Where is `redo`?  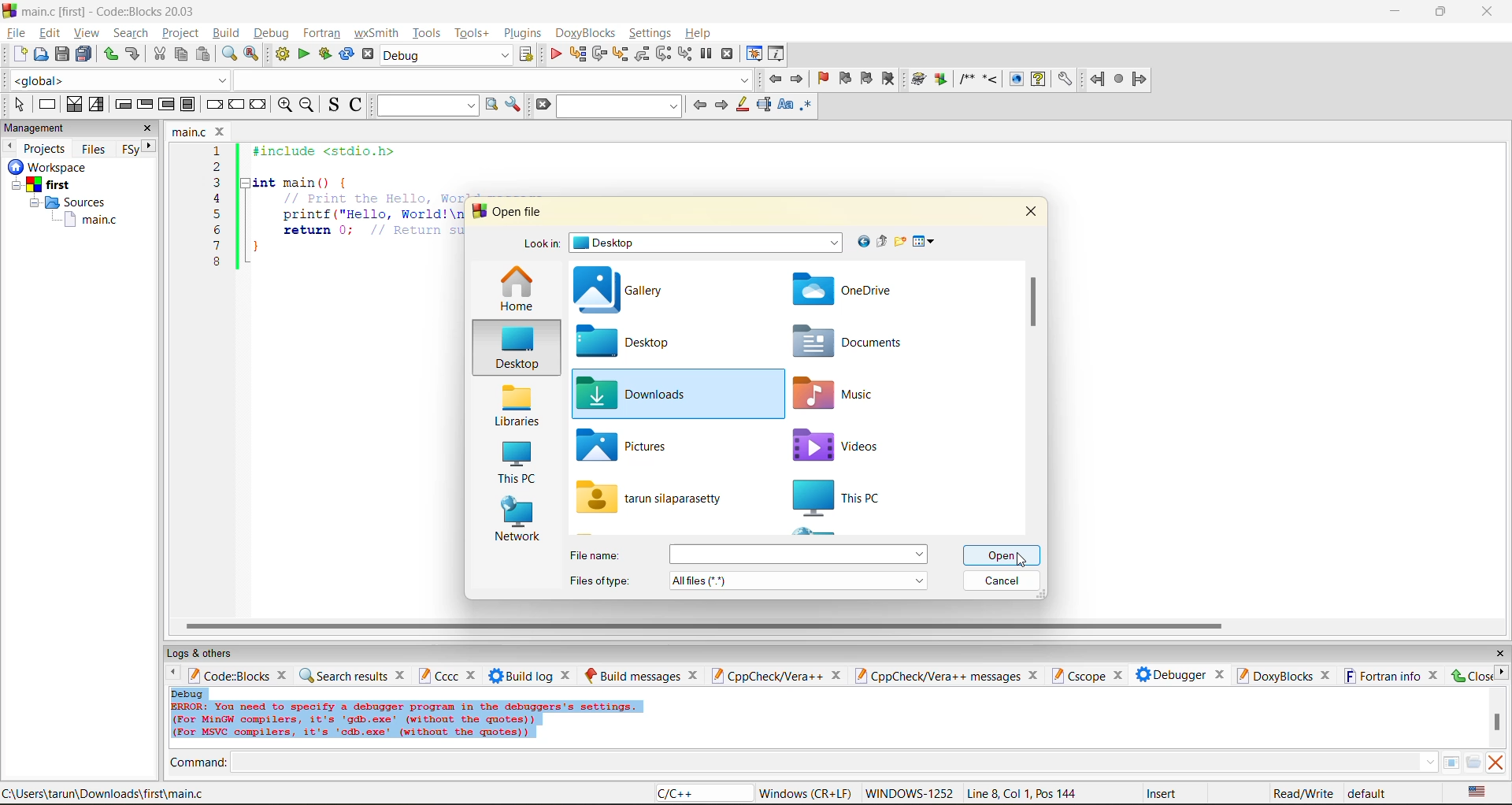
redo is located at coordinates (110, 54).